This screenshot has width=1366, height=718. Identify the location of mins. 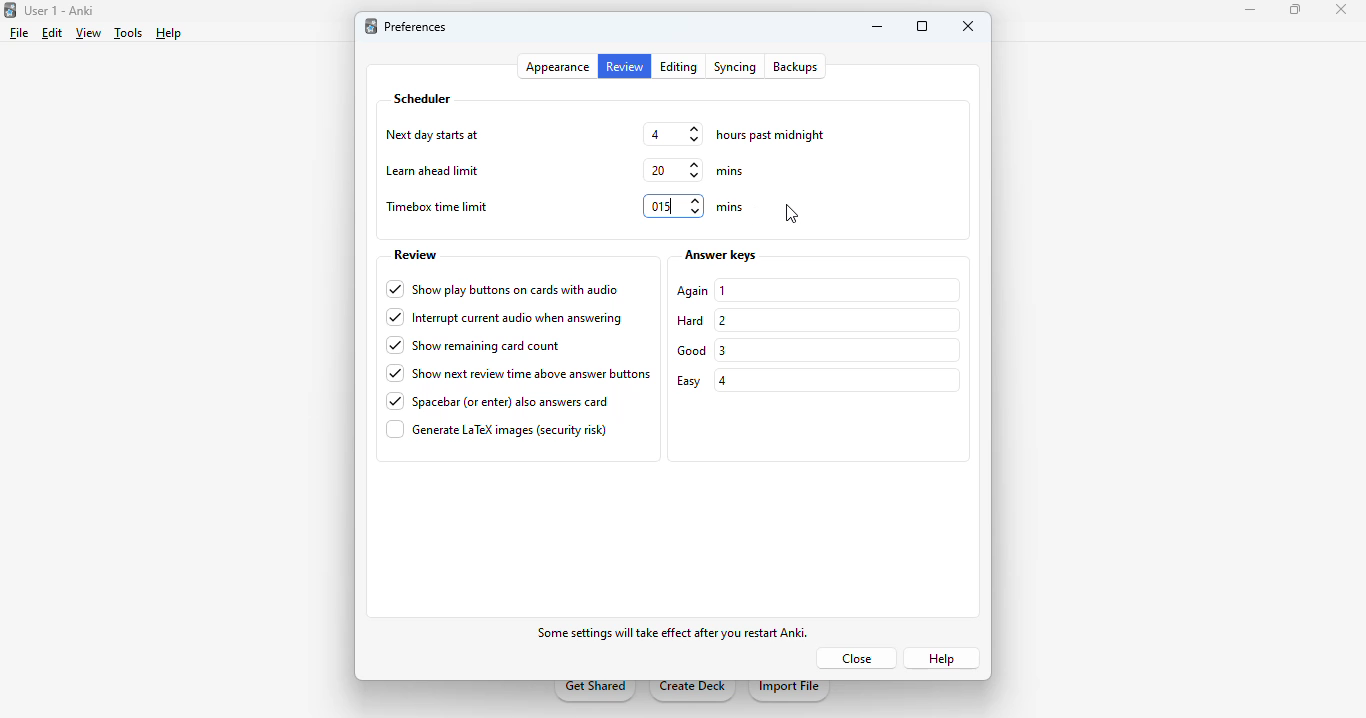
(737, 207).